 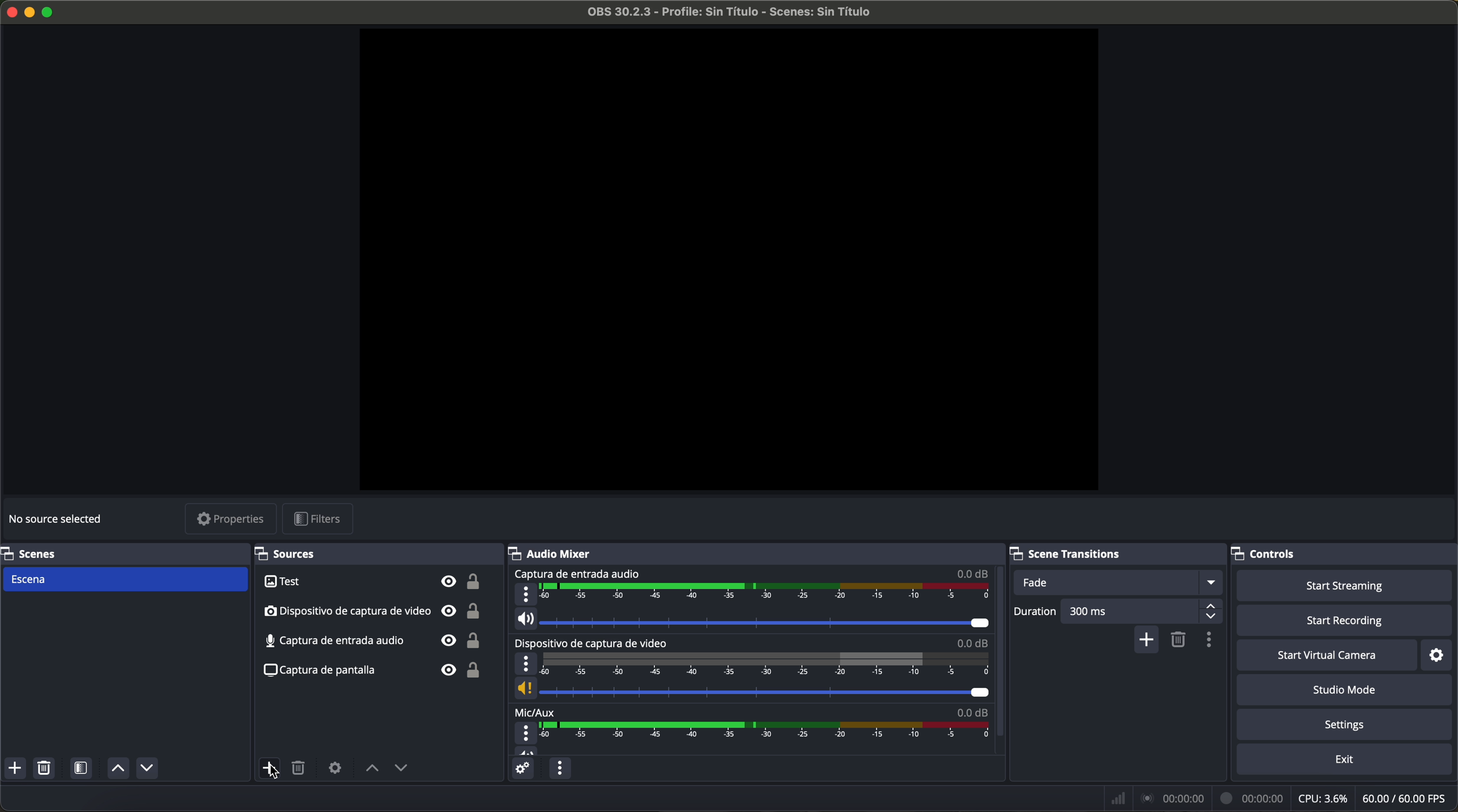 I want to click on close program, so click(x=9, y=14).